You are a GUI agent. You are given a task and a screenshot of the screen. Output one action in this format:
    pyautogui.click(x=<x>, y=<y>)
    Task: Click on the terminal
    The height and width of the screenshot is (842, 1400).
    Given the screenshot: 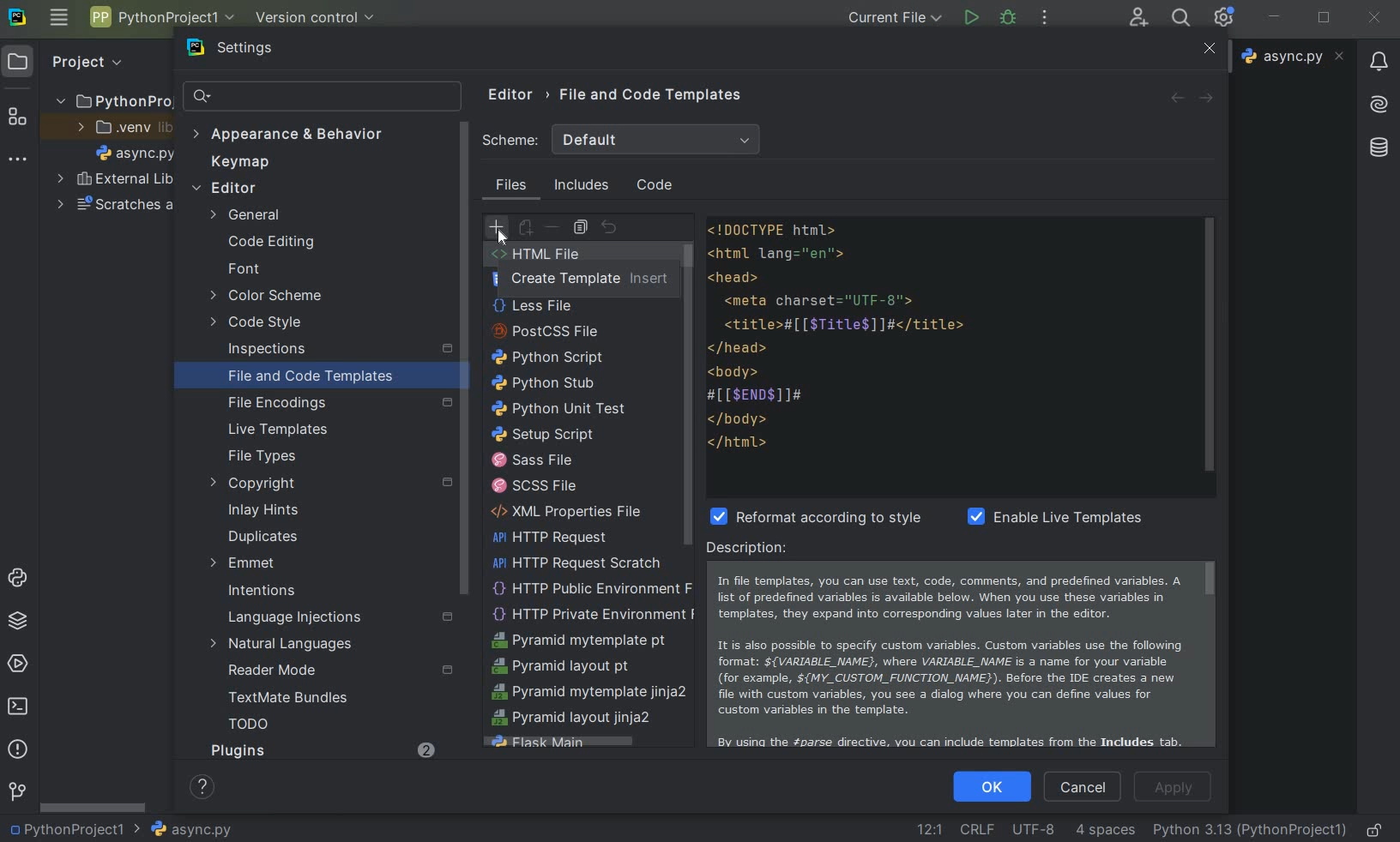 What is the action you would take?
    pyautogui.click(x=19, y=705)
    